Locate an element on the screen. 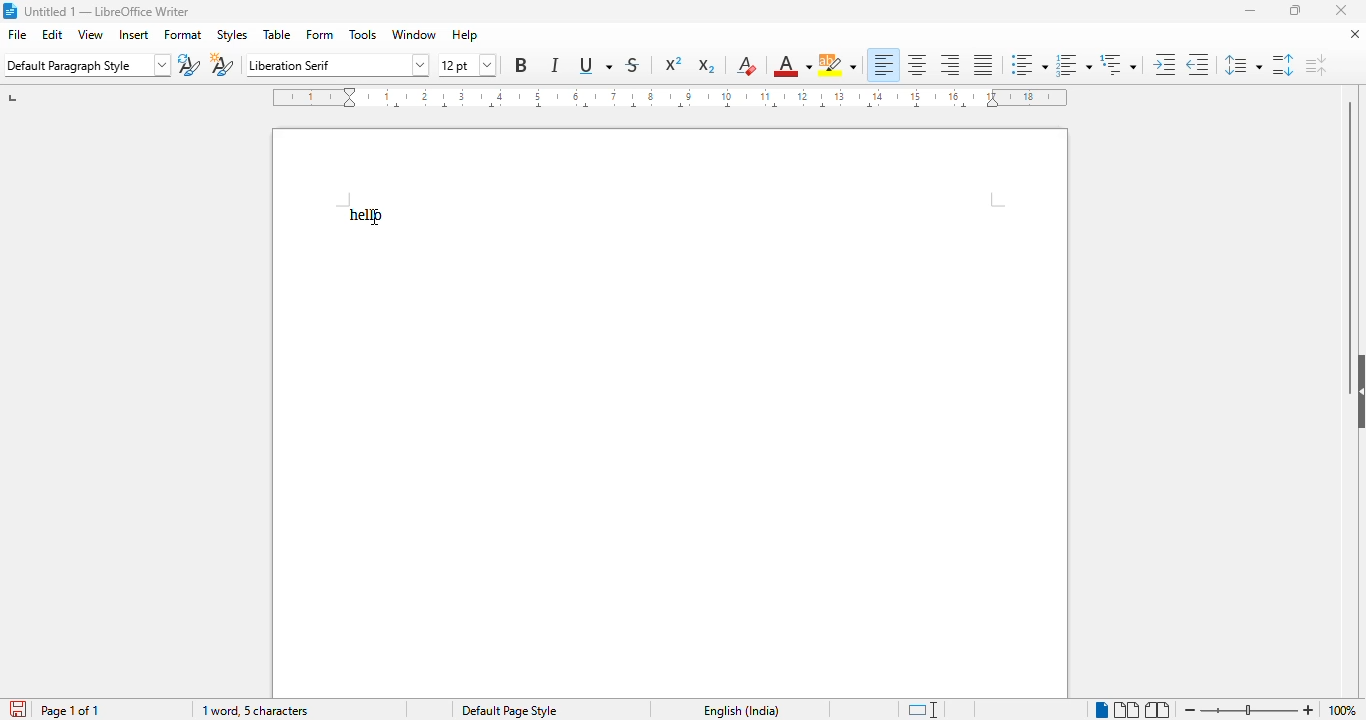  superscript is located at coordinates (674, 64).